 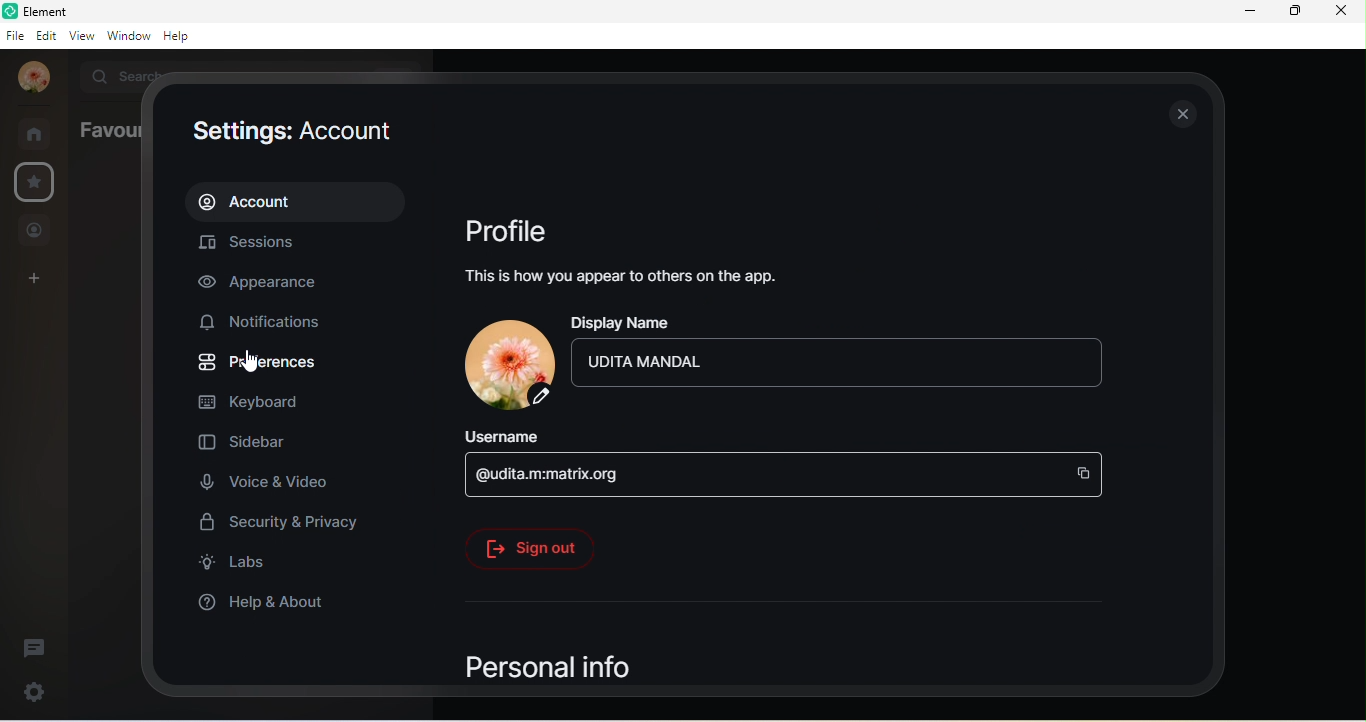 I want to click on sessions, so click(x=249, y=244).